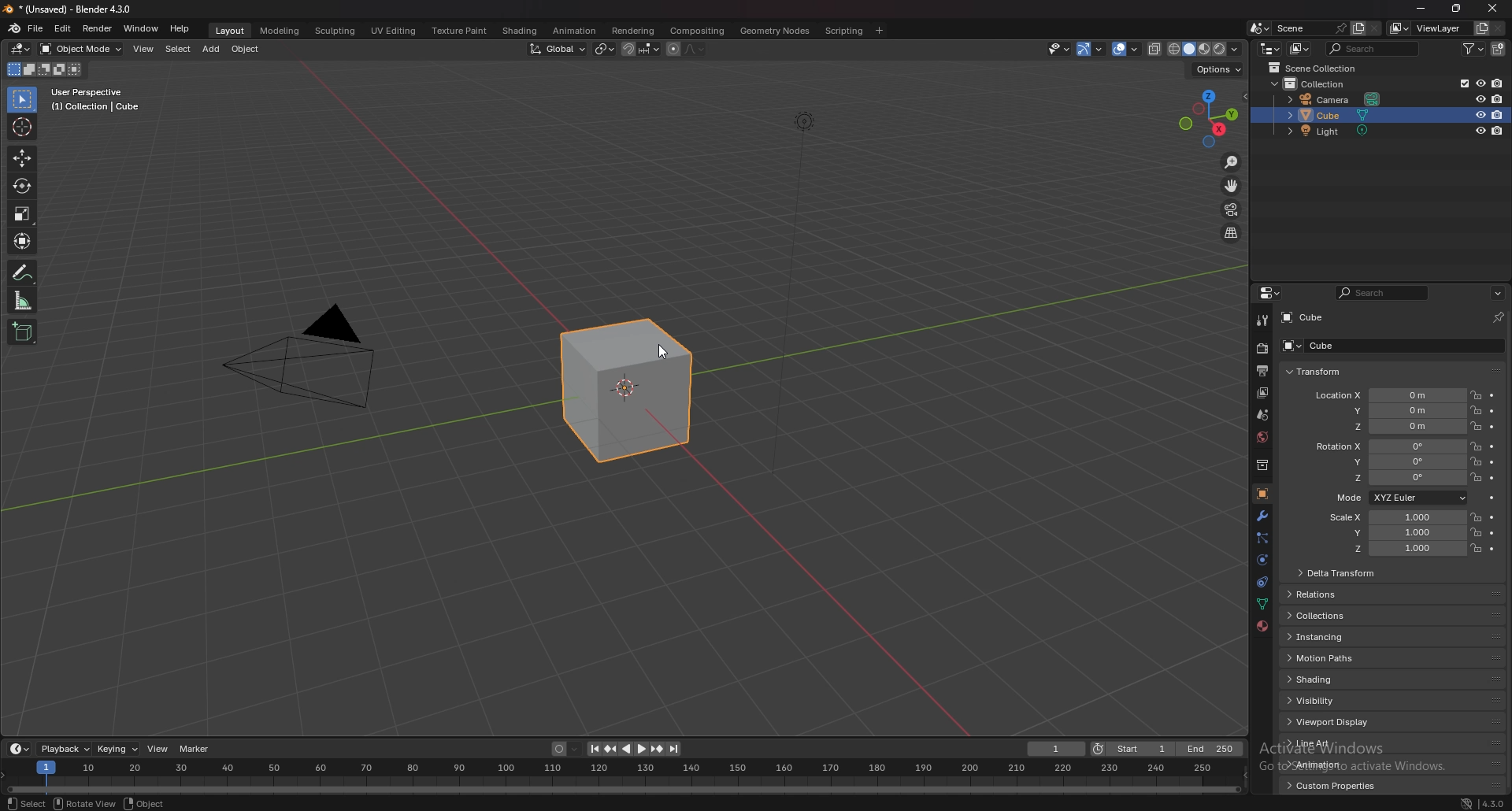 The width and height of the screenshot is (1512, 811). I want to click on animate property, so click(1492, 412).